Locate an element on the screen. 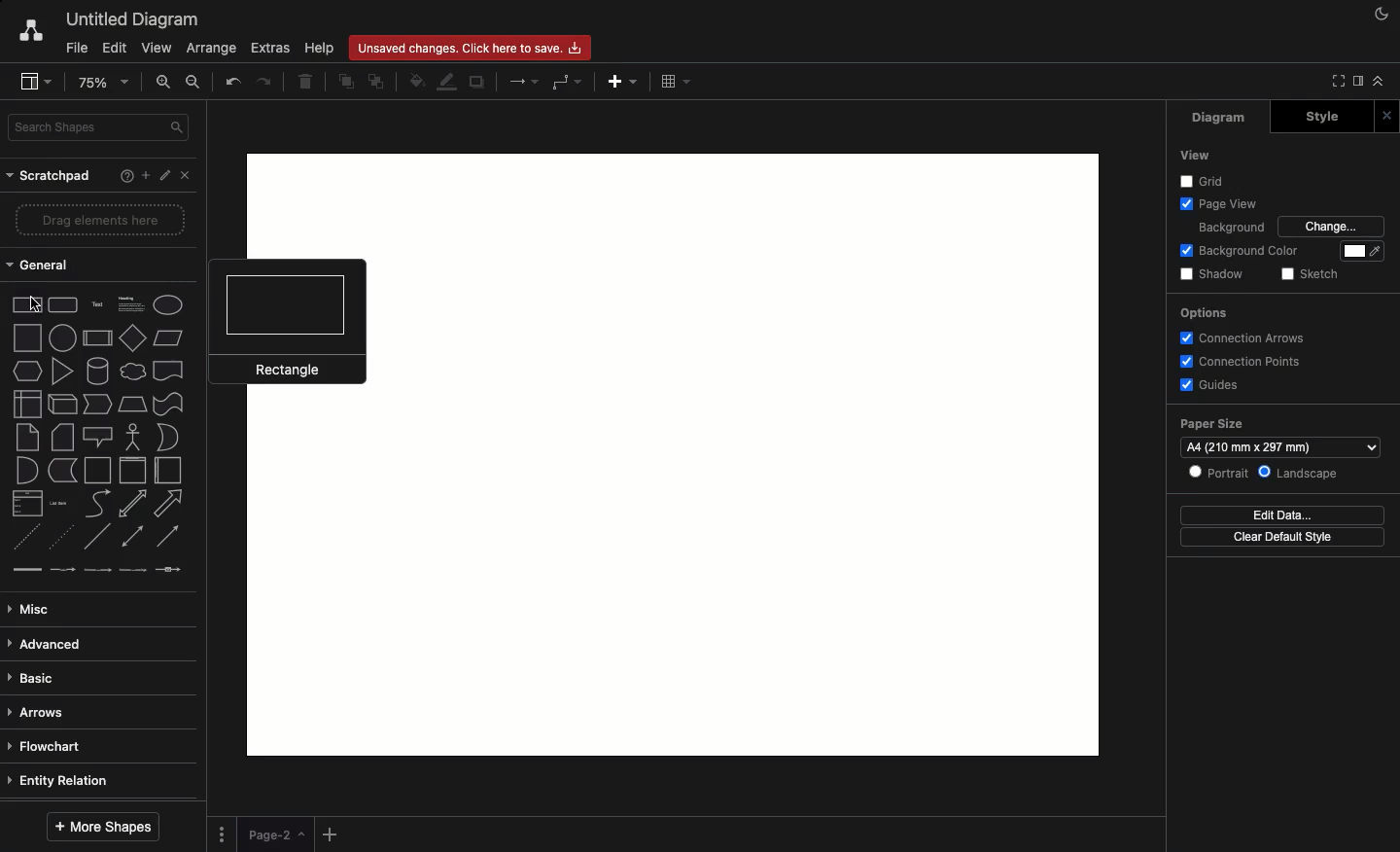  View is located at coordinates (158, 48).